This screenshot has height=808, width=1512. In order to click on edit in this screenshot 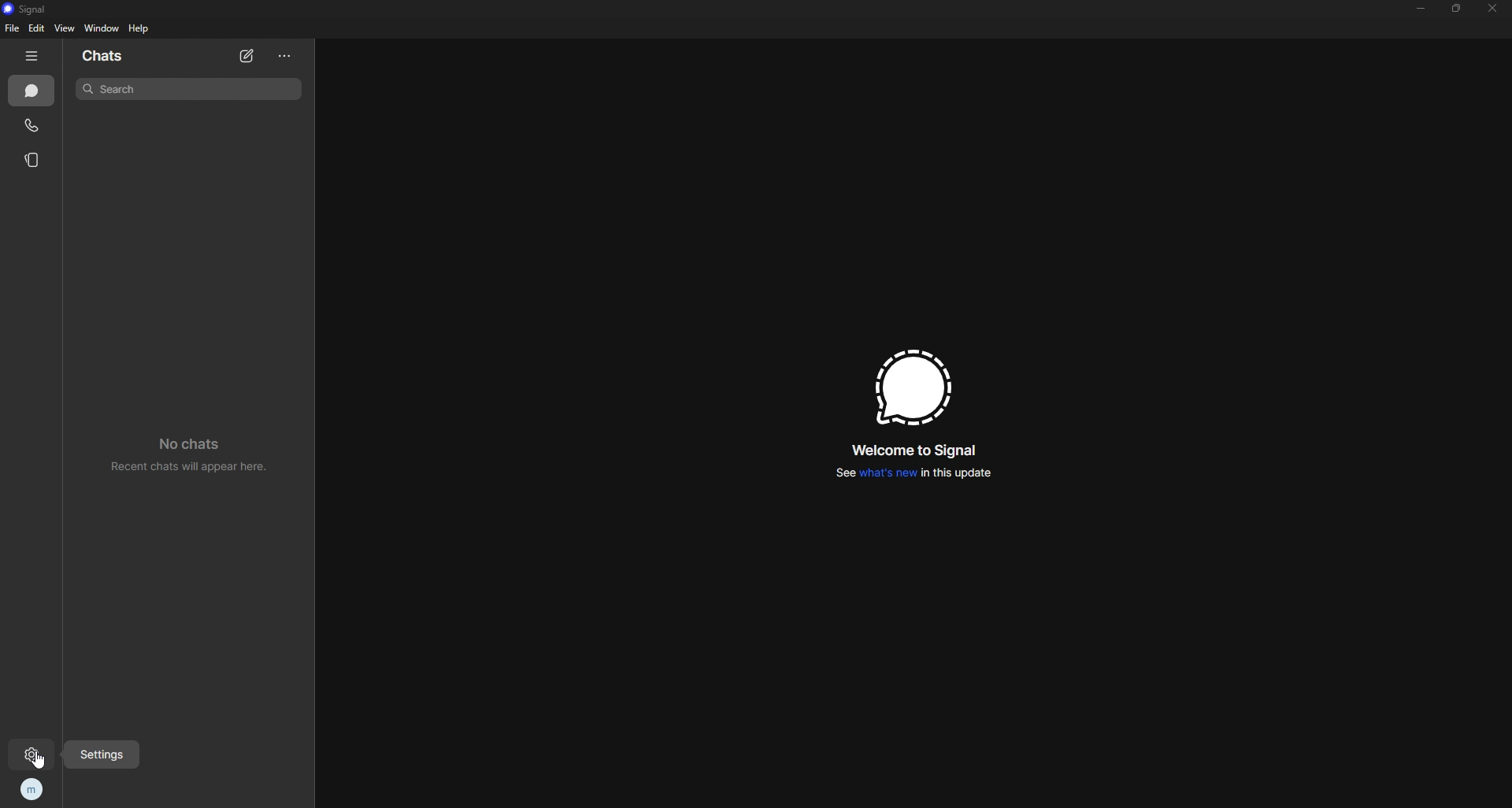, I will do `click(38, 28)`.